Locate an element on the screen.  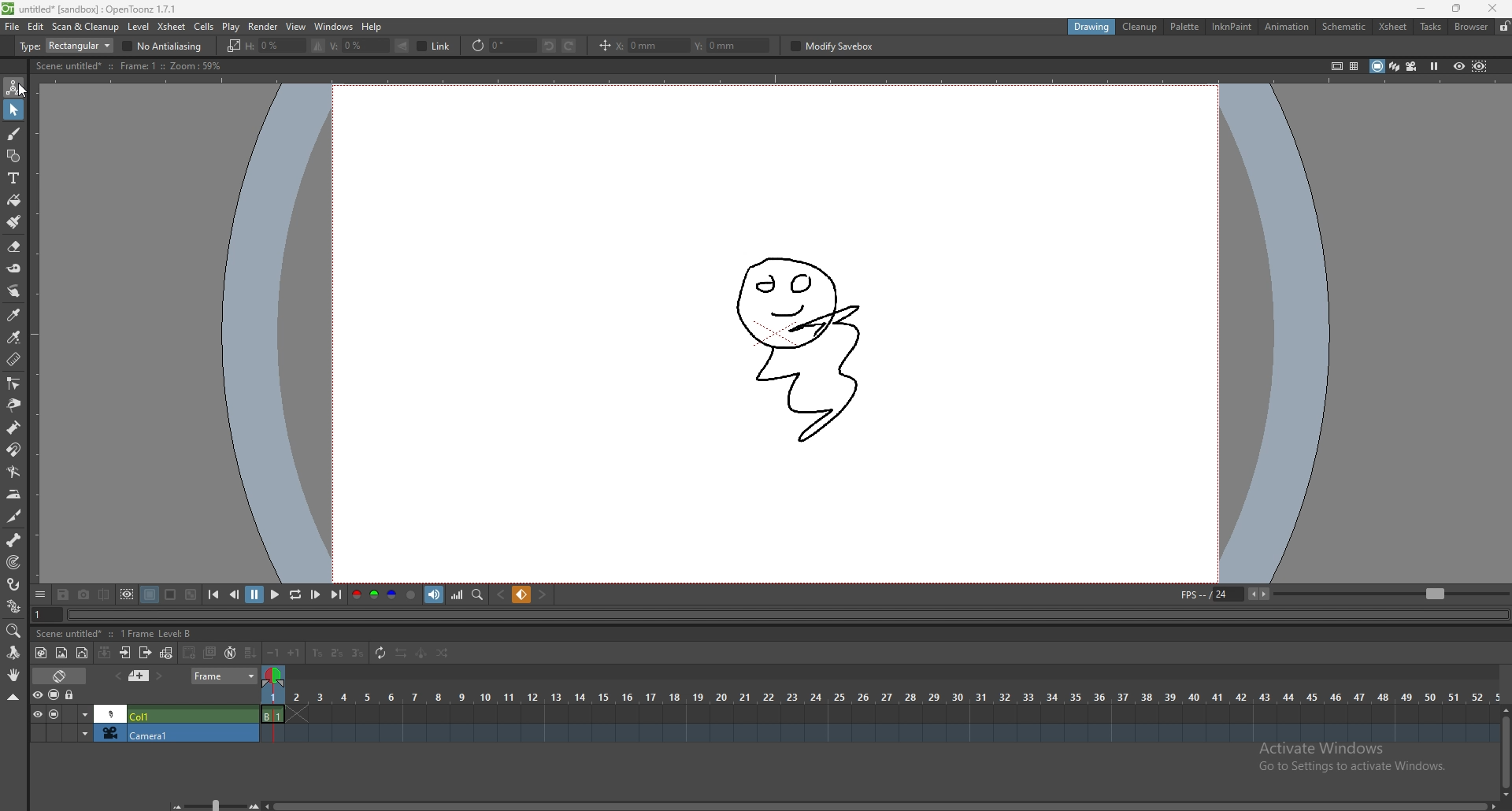
red channel is located at coordinates (357, 594).